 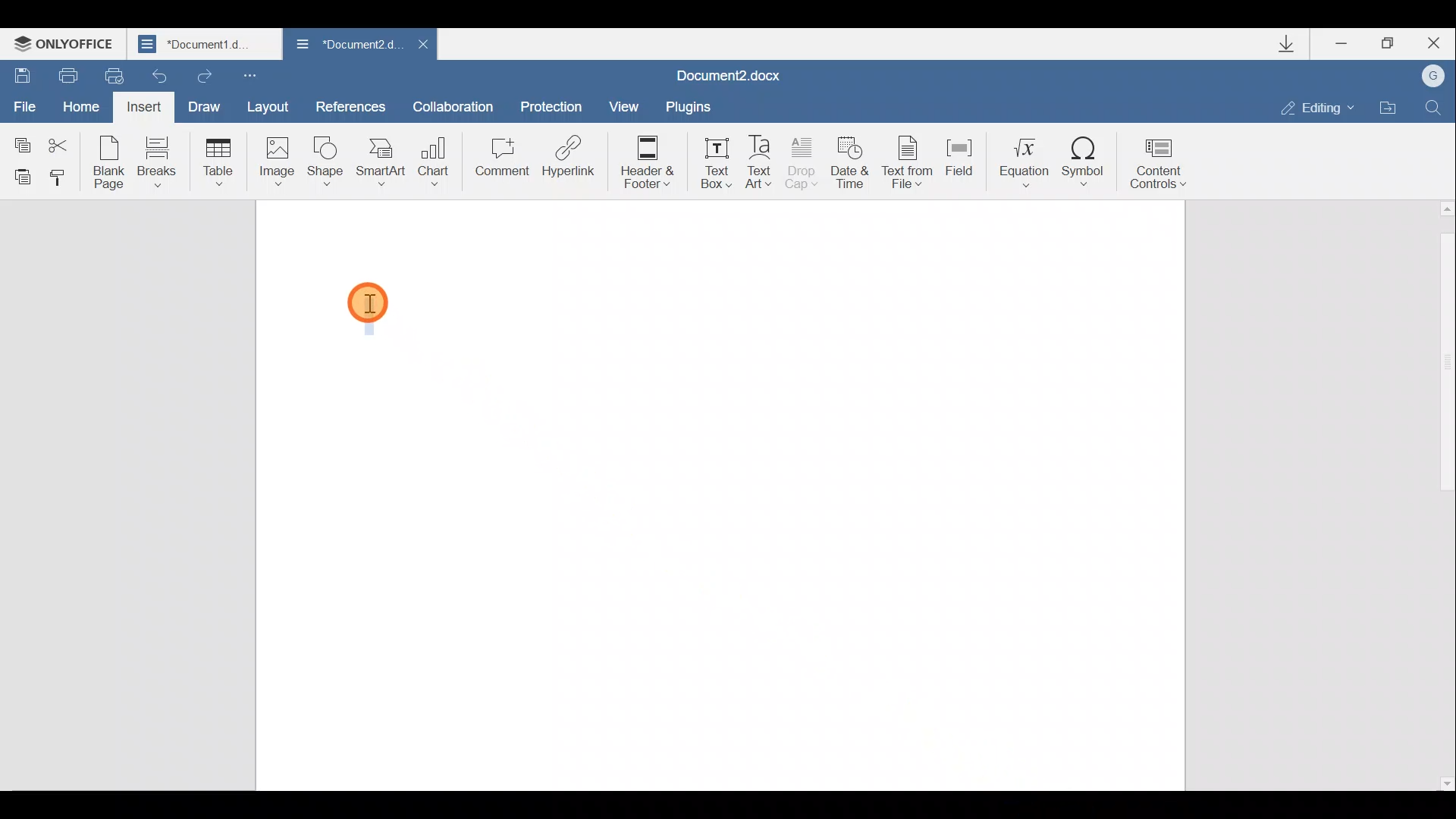 What do you see at coordinates (155, 76) in the screenshot?
I see `Undo` at bounding box center [155, 76].